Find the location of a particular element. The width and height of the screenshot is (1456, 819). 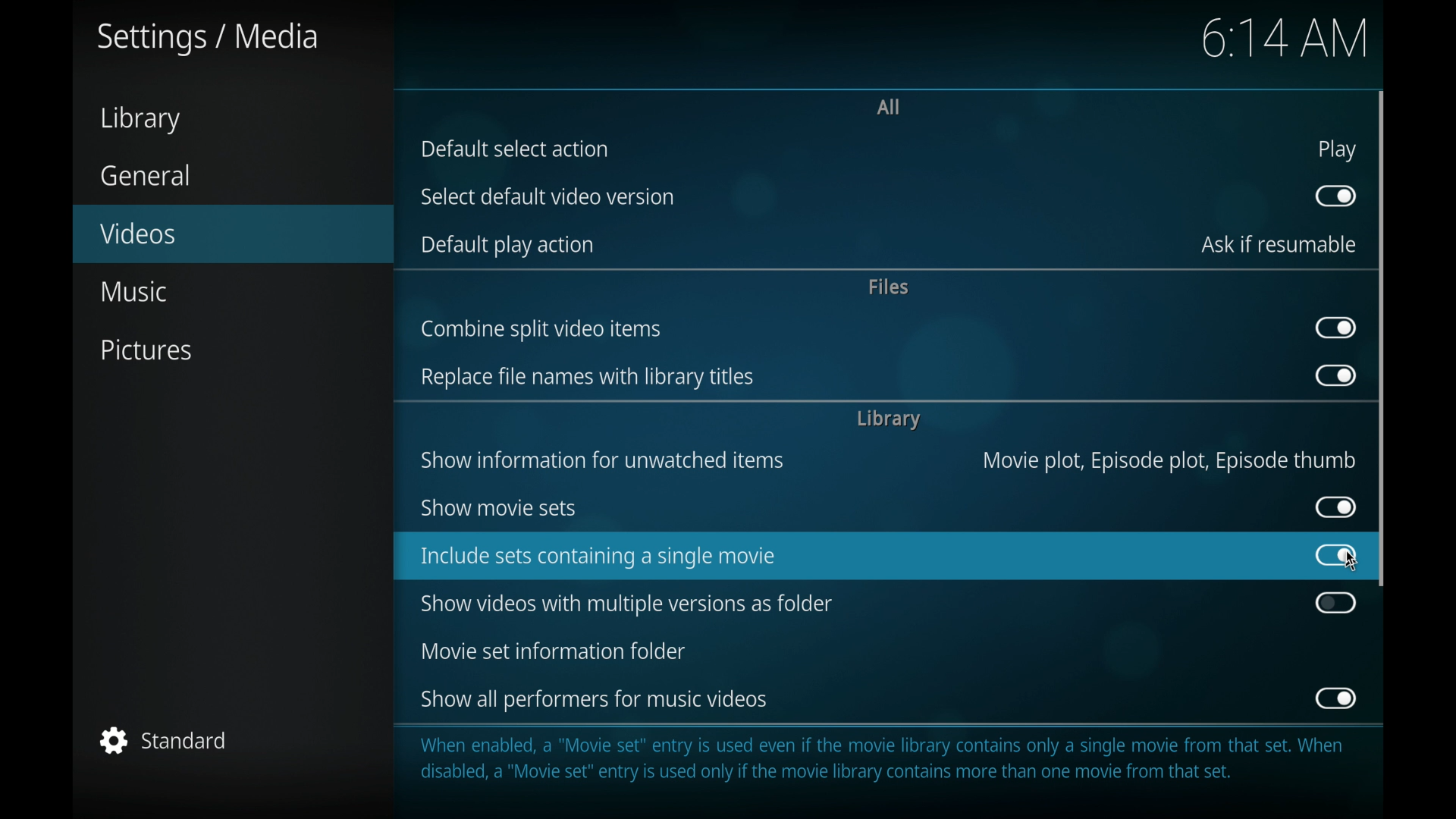

toggle button is located at coordinates (1335, 328).